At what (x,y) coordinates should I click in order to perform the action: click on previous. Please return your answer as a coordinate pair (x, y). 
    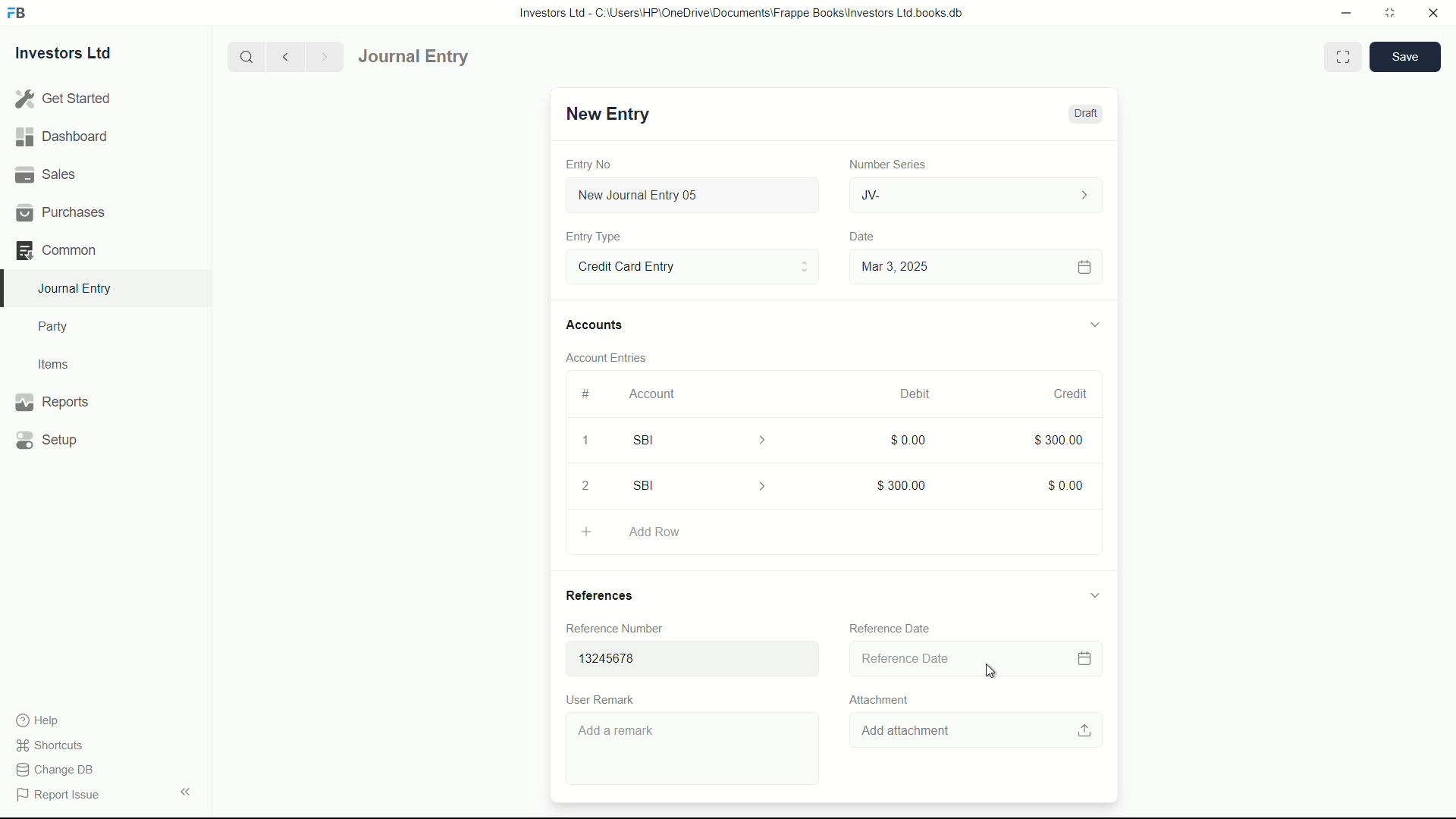
    Looking at the image, I should click on (284, 56).